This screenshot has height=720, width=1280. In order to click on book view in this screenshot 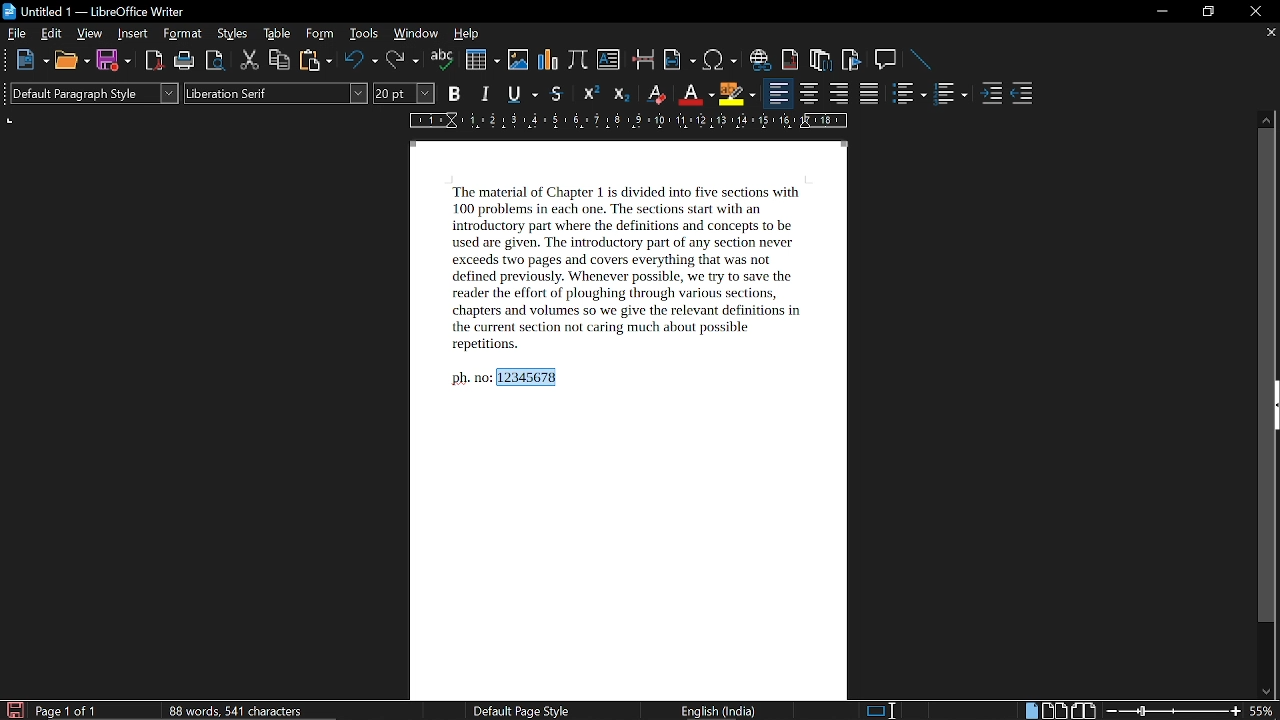, I will do `click(1086, 710)`.